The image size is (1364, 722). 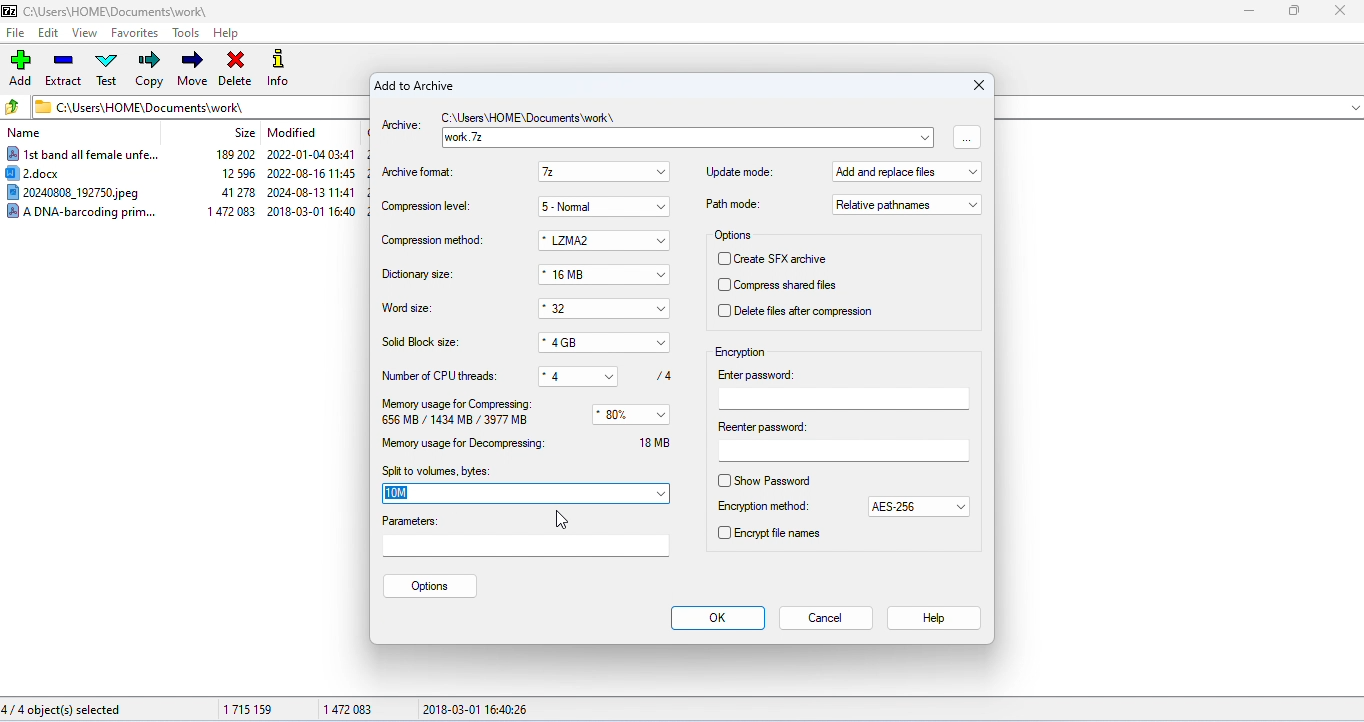 I want to click on add, so click(x=22, y=67).